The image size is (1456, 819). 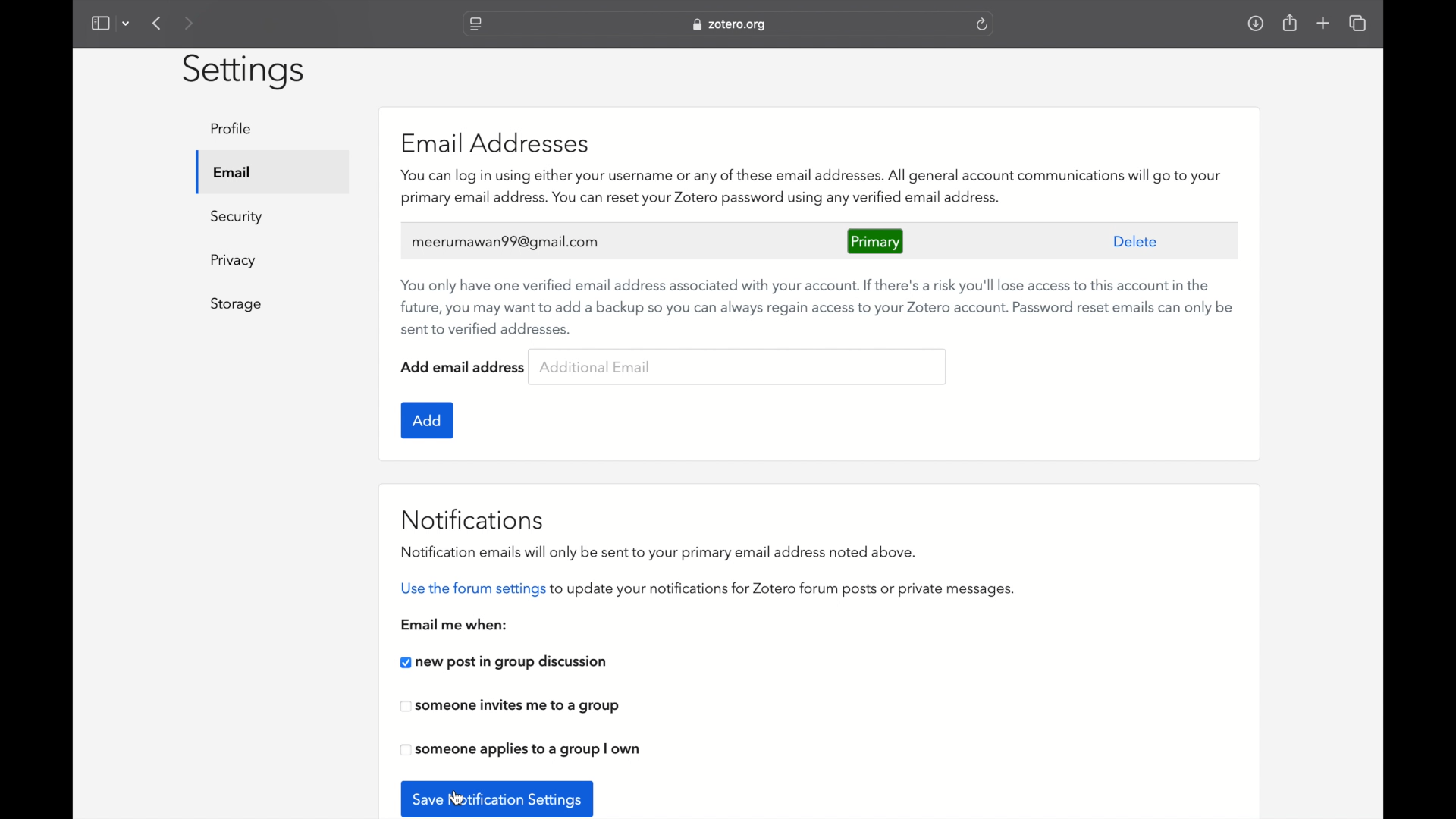 I want to click on email, so click(x=233, y=172).